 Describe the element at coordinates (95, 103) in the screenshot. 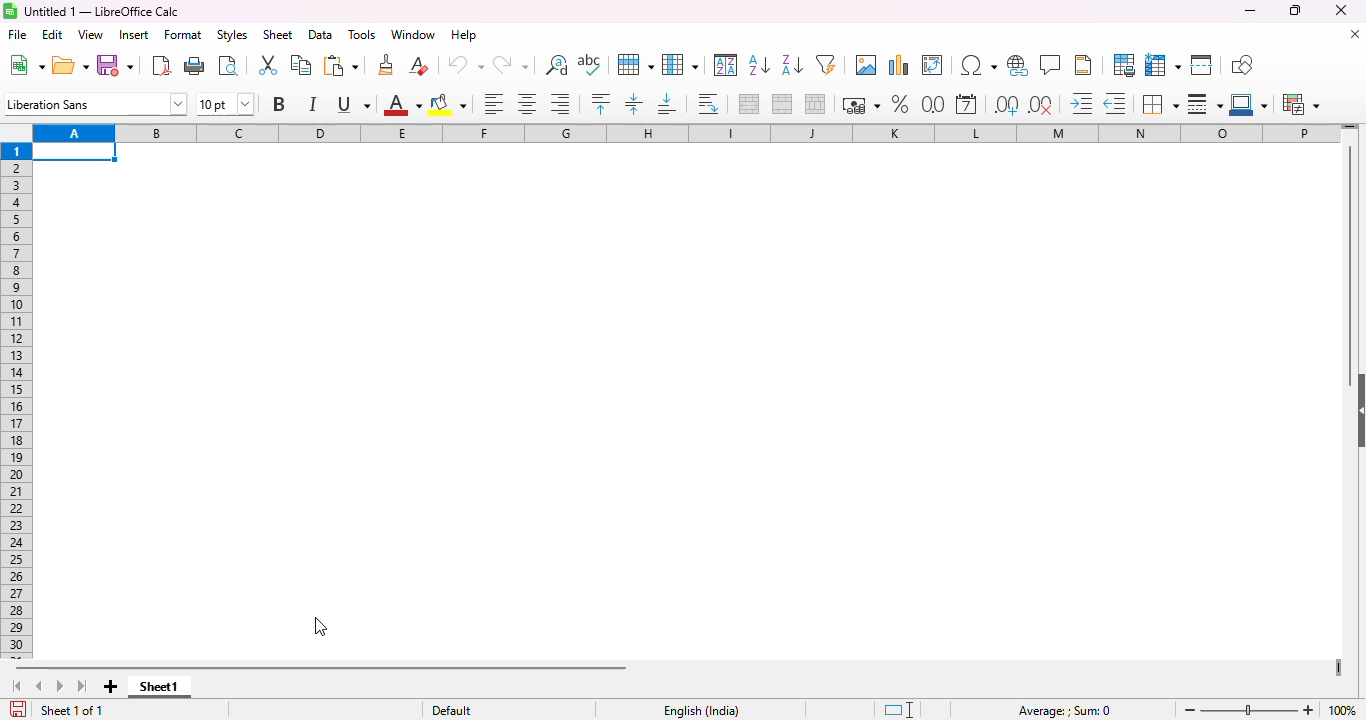

I see `font name` at that location.